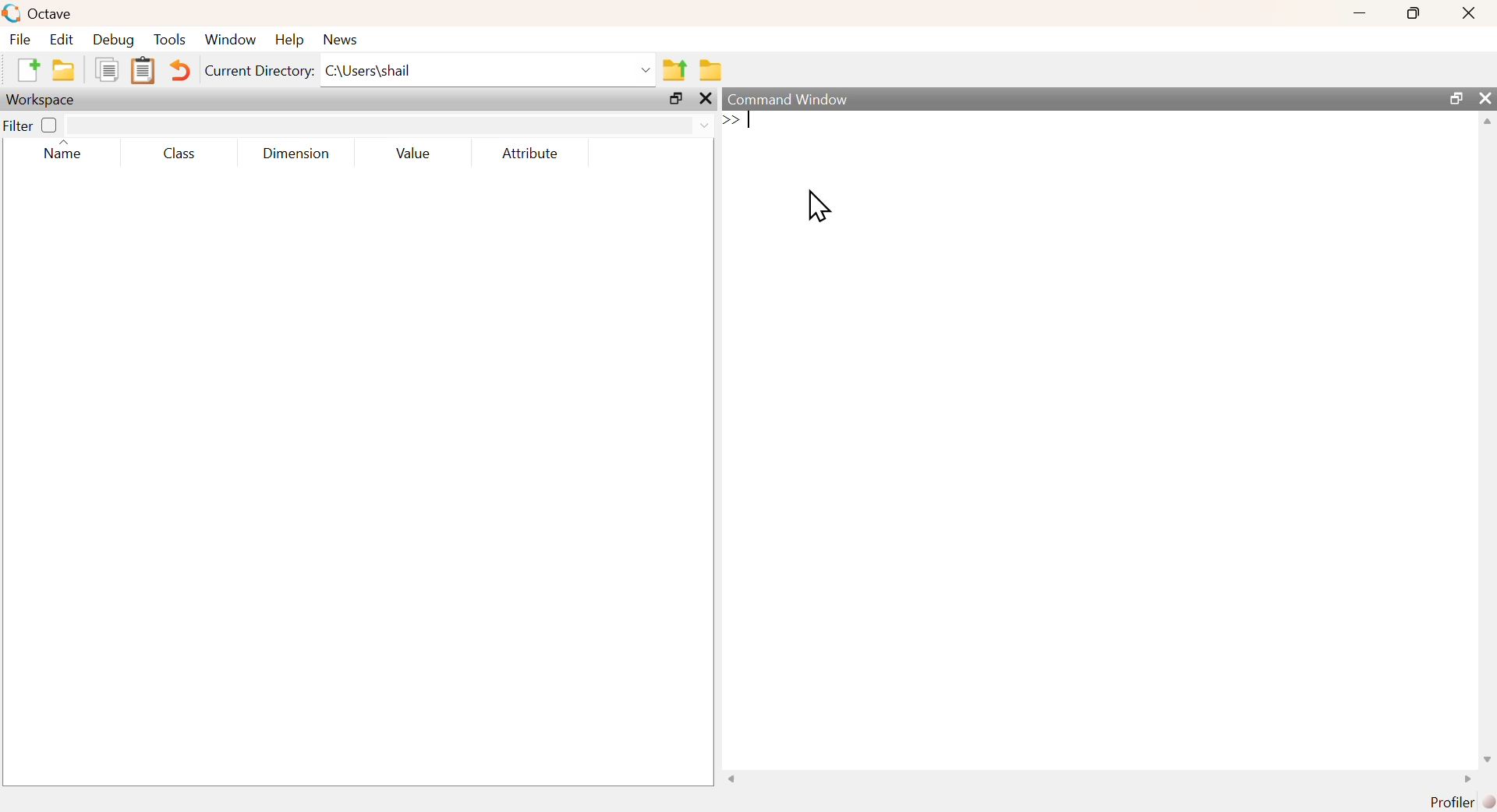 This screenshot has width=1497, height=812. Describe the element at coordinates (342, 39) in the screenshot. I see `News` at that location.